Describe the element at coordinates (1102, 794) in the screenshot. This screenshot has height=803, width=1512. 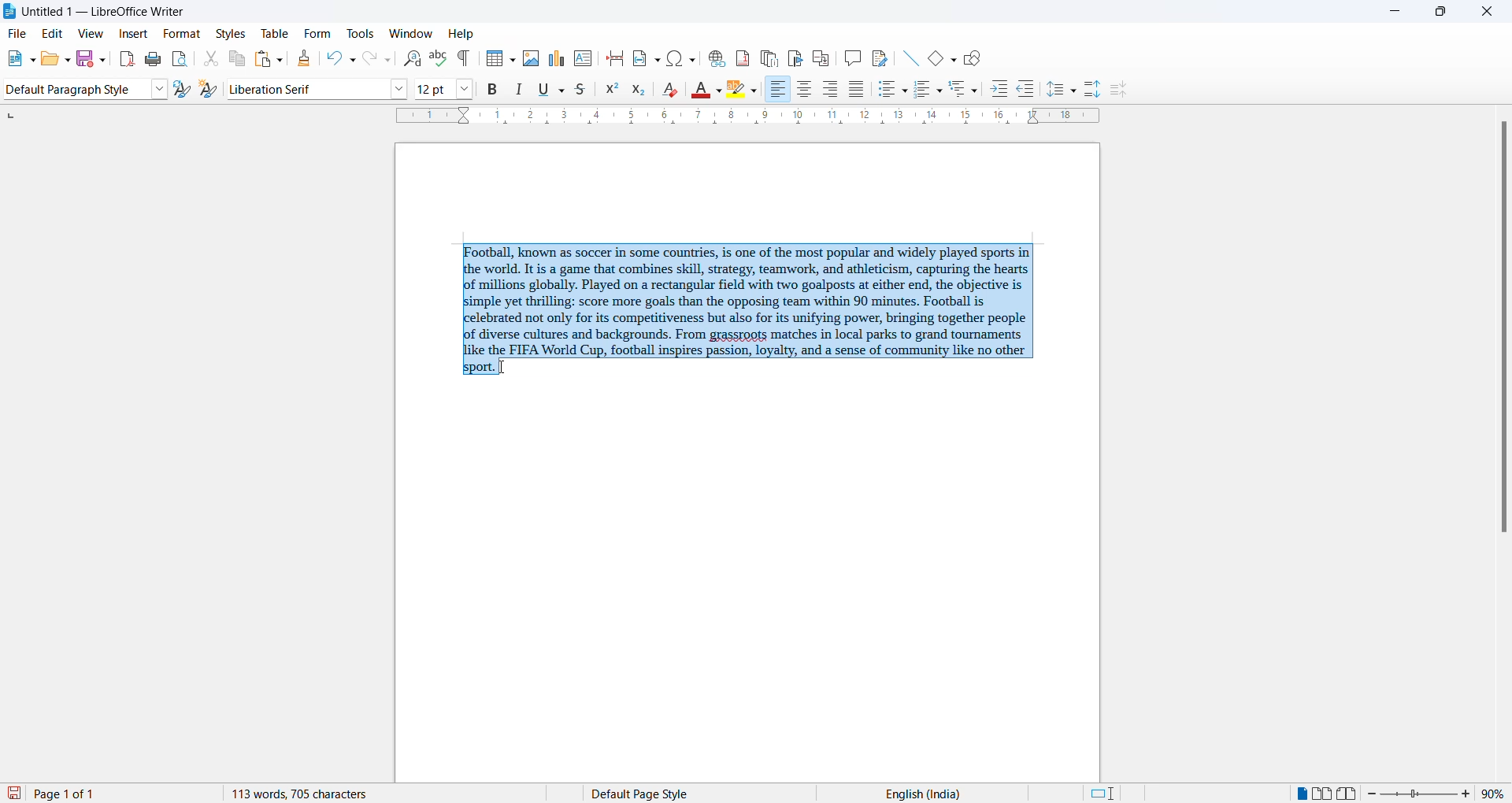
I see `standard selection` at that location.